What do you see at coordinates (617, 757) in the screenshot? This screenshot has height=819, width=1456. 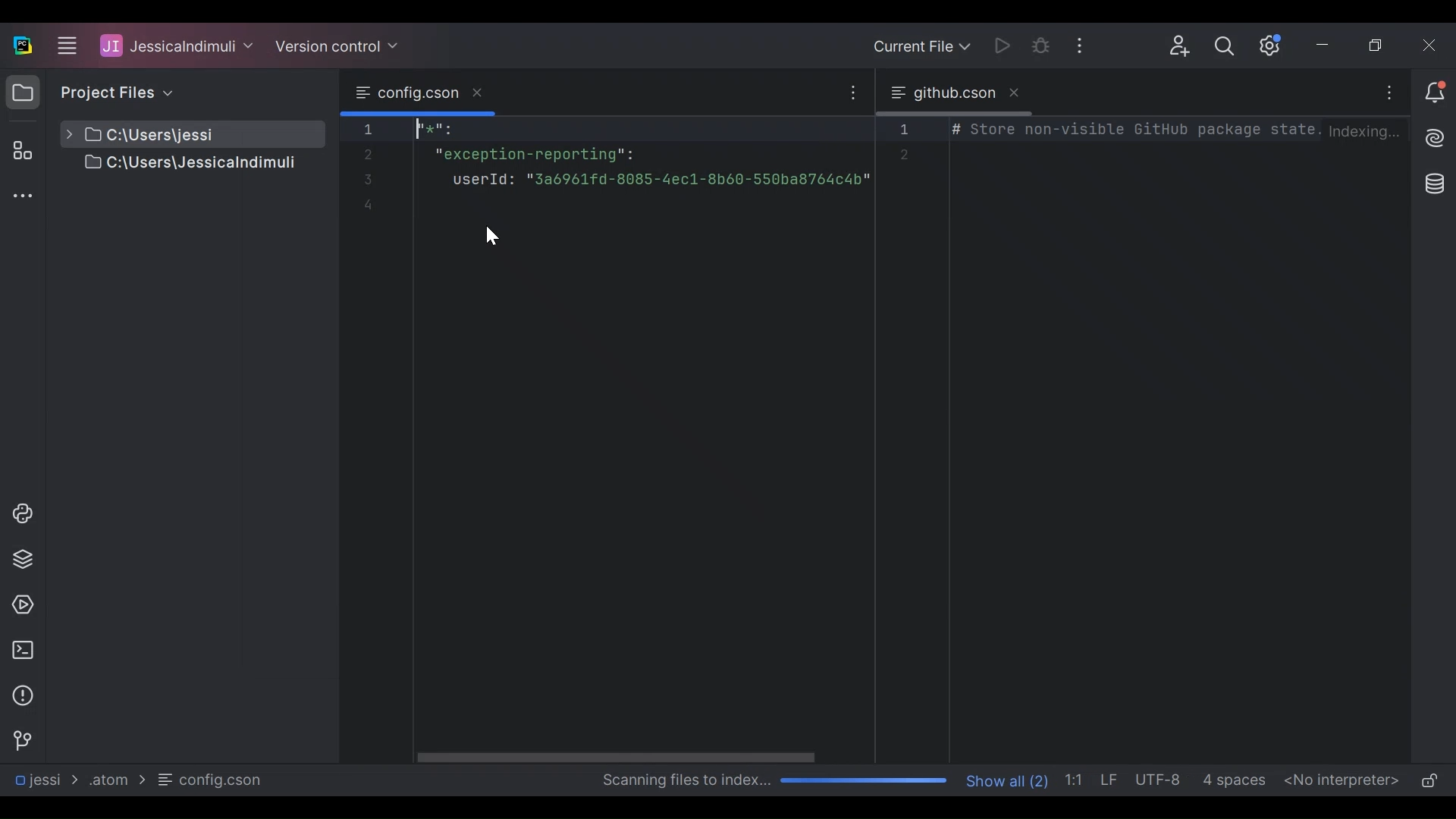 I see `Horizontal Scroll bar` at bounding box center [617, 757].